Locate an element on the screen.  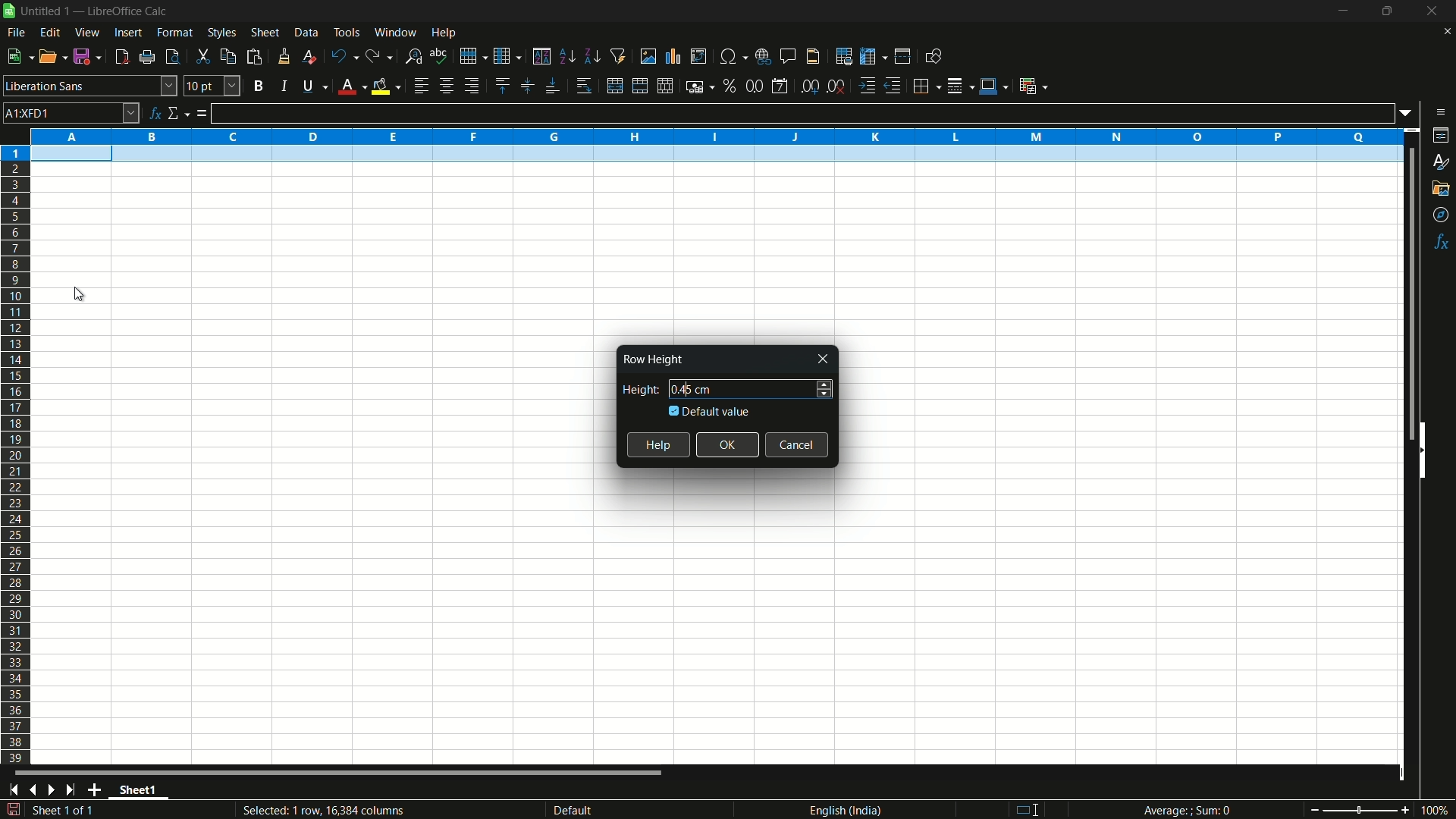
columns is located at coordinates (716, 135).